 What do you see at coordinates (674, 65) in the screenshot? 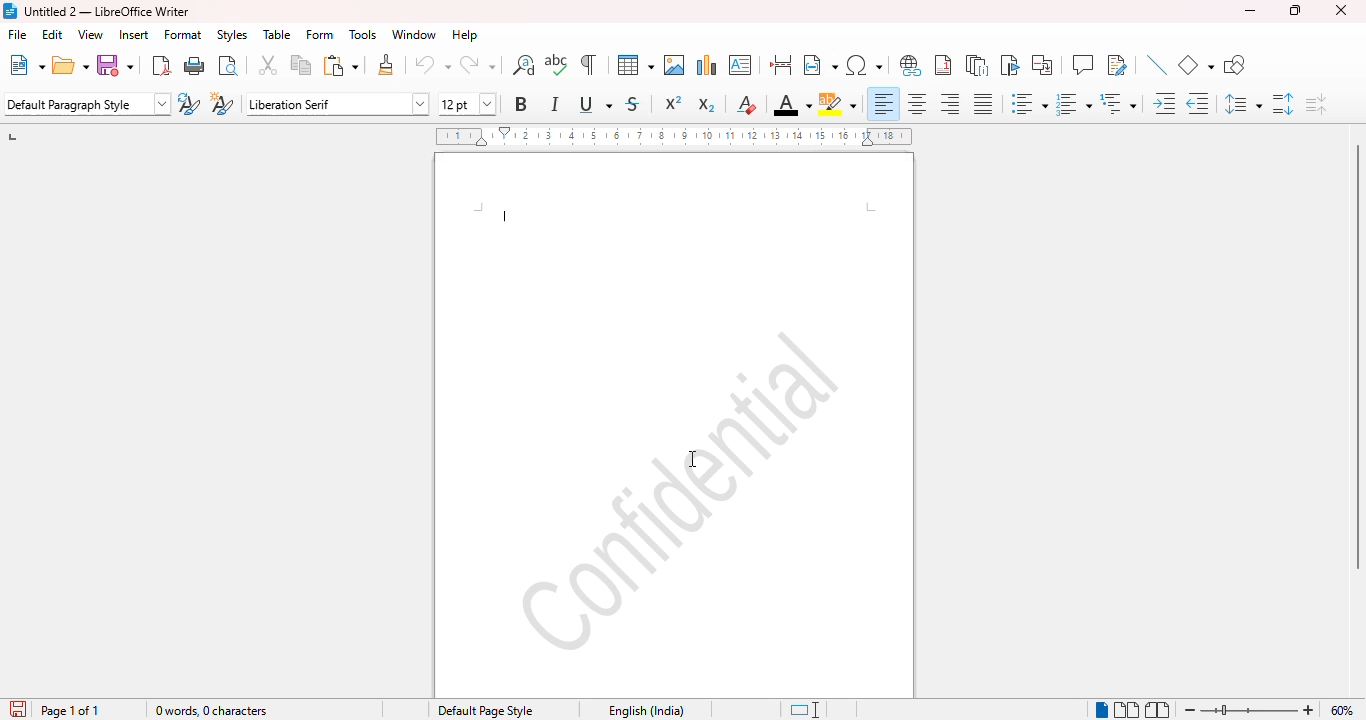
I see `insert image` at bounding box center [674, 65].